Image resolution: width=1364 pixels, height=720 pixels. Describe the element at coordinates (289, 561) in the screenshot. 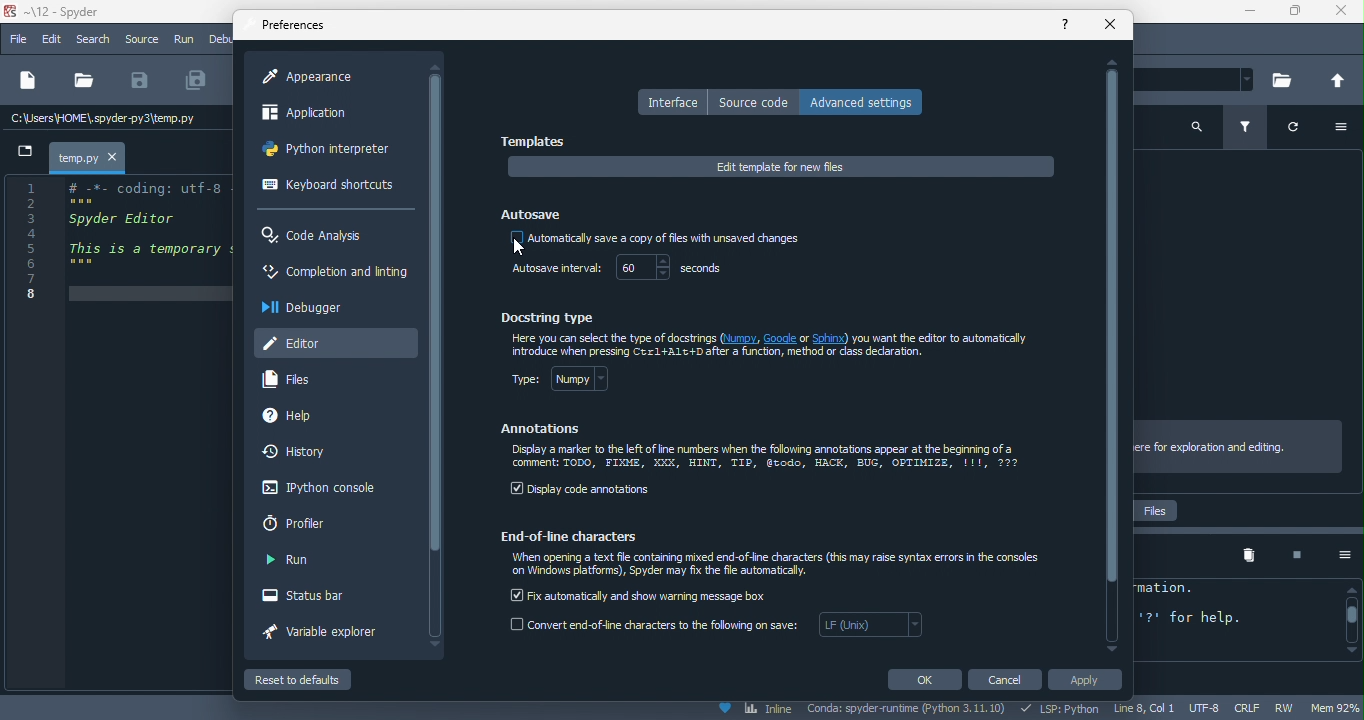

I see `run` at that location.